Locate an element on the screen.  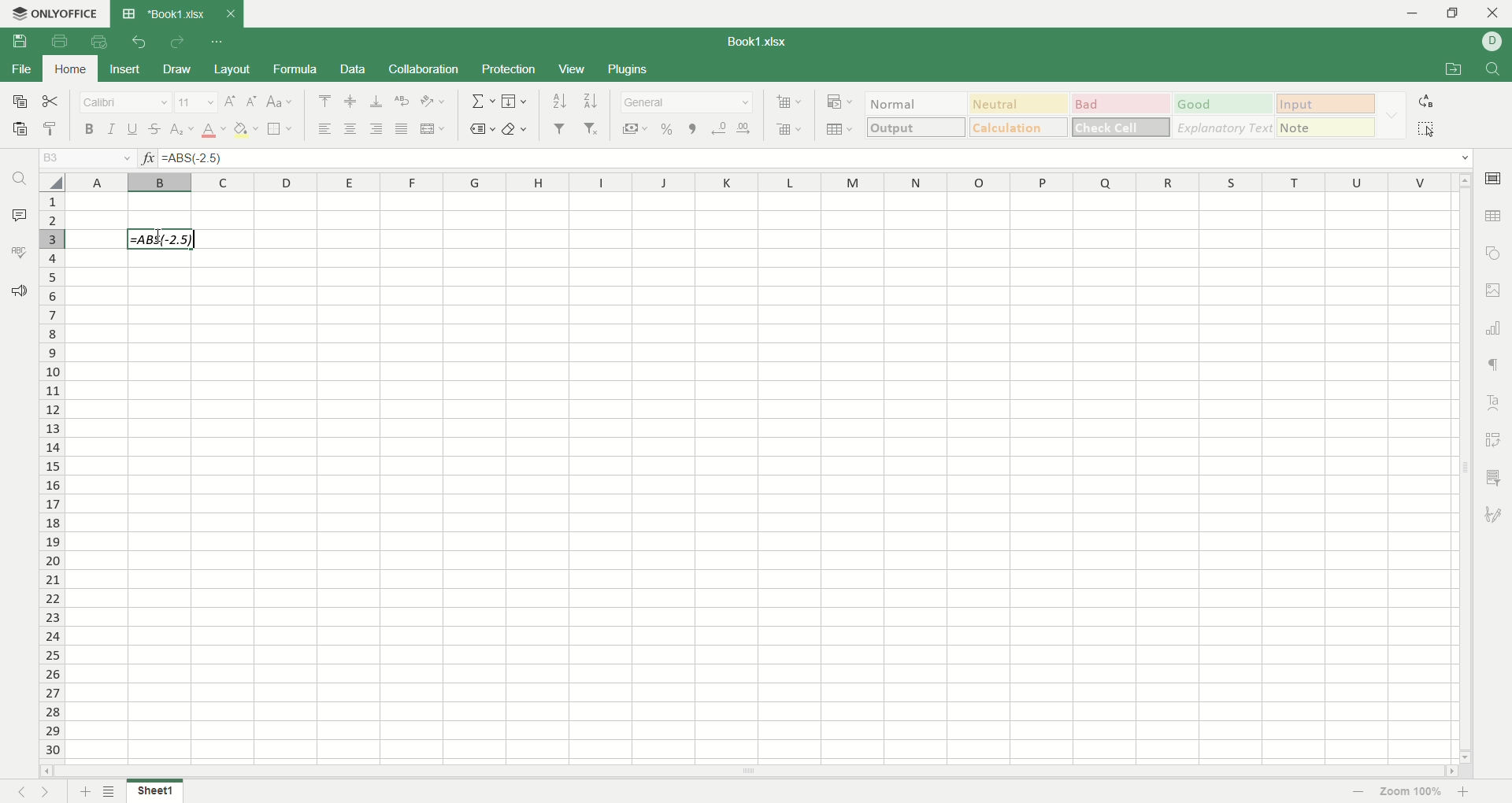
clear is located at coordinates (517, 130).